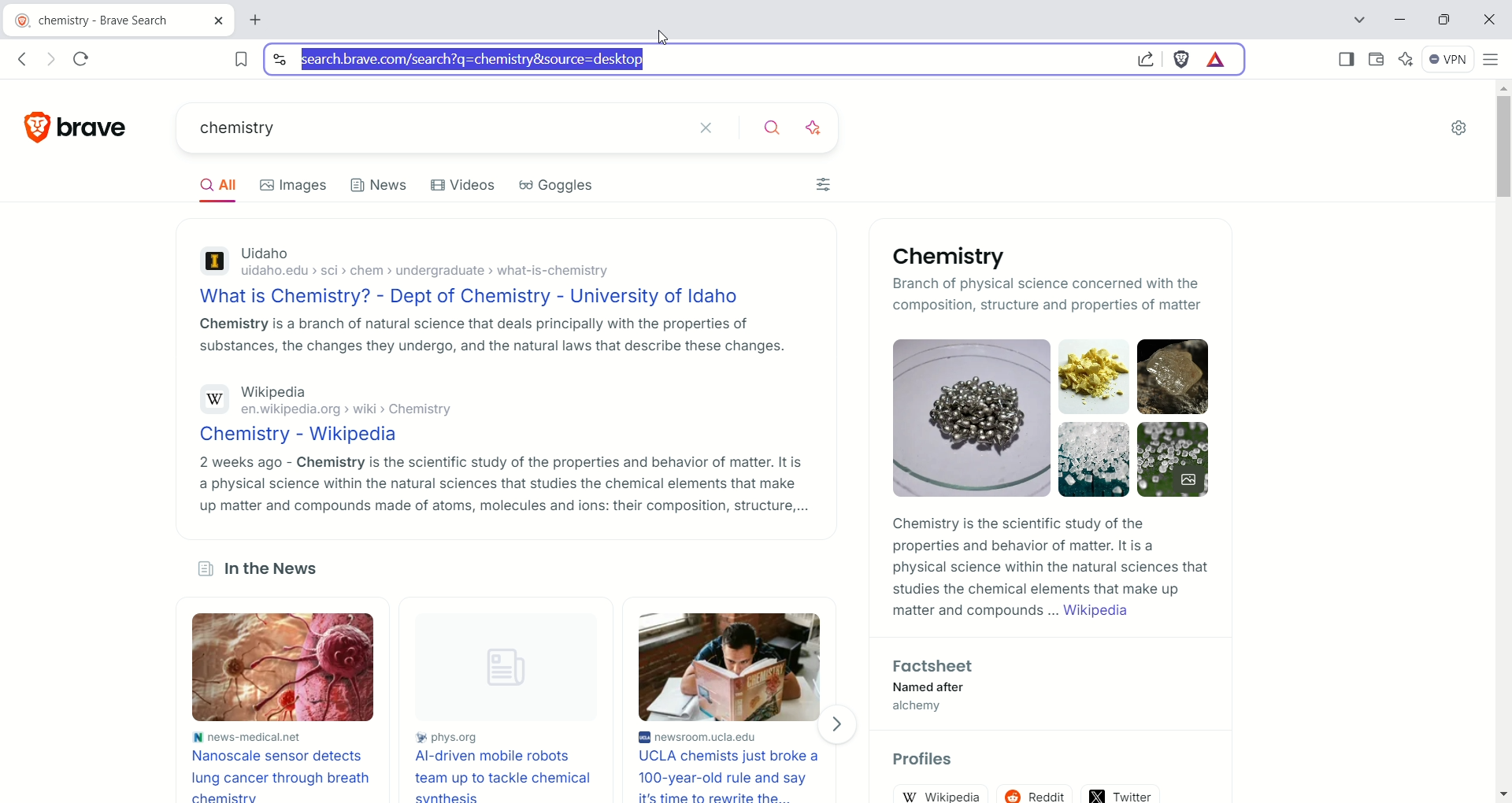  Describe the element at coordinates (214, 399) in the screenshot. I see `Wikipedia logo` at that location.